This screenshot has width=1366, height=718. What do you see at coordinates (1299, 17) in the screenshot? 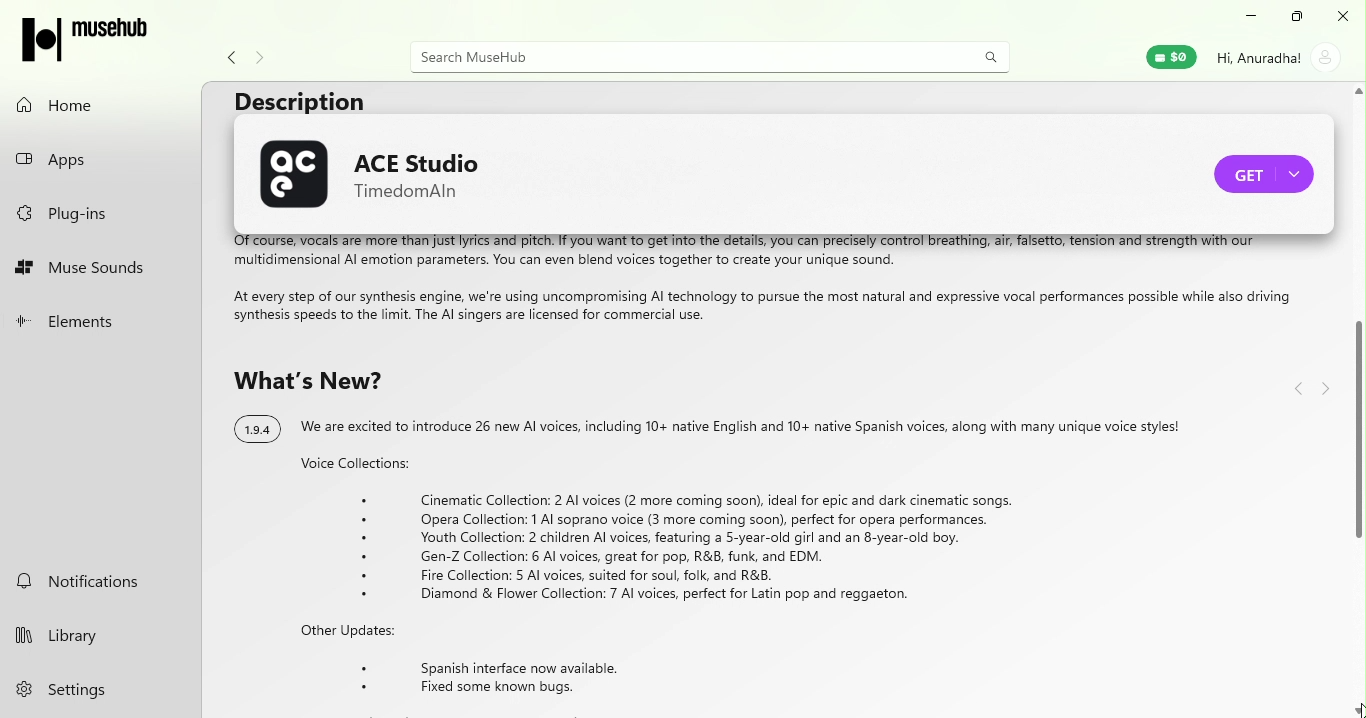
I see `maximize` at bounding box center [1299, 17].